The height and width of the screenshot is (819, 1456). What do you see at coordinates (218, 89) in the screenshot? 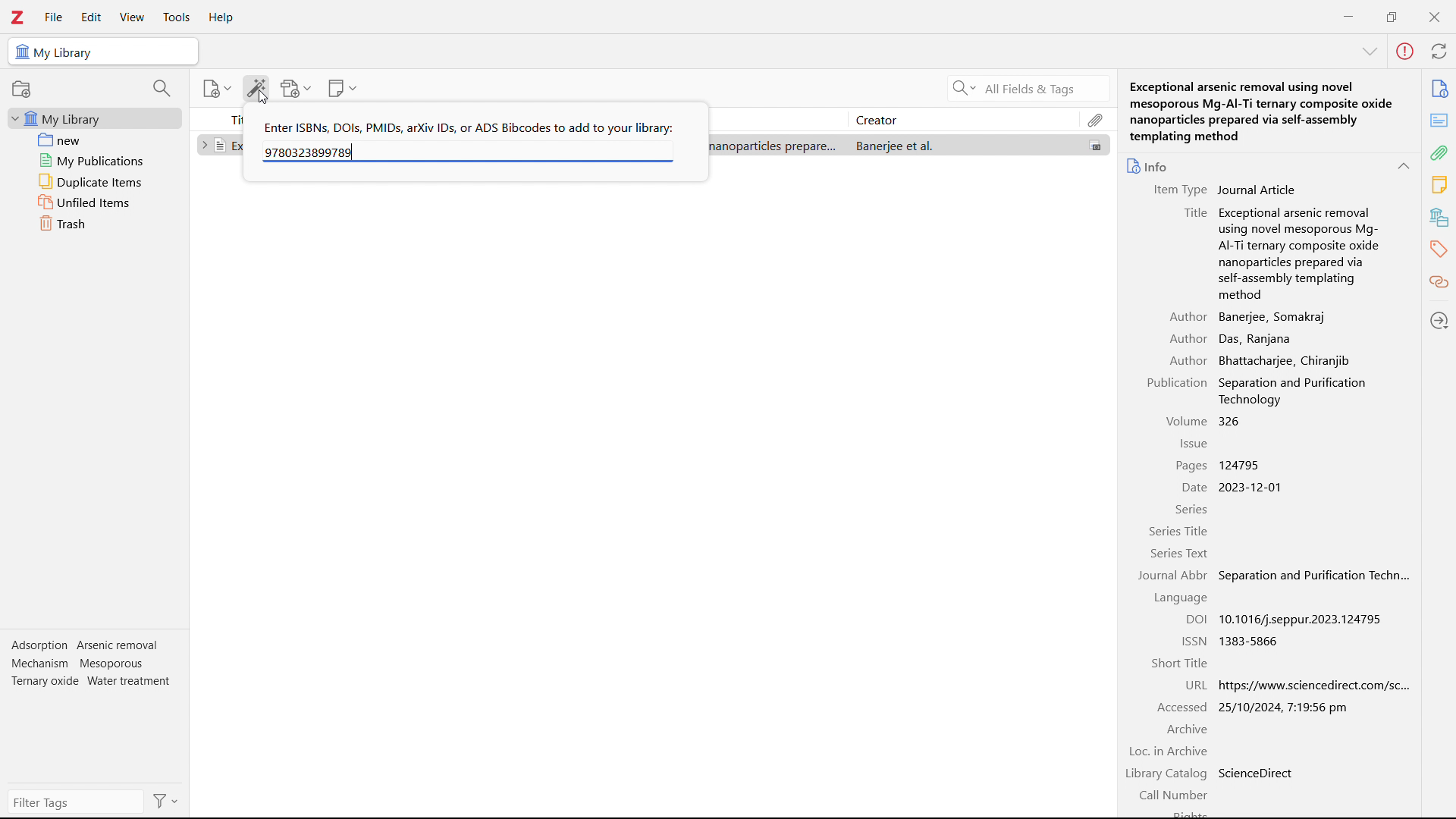
I see `add item` at bounding box center [218, 89].